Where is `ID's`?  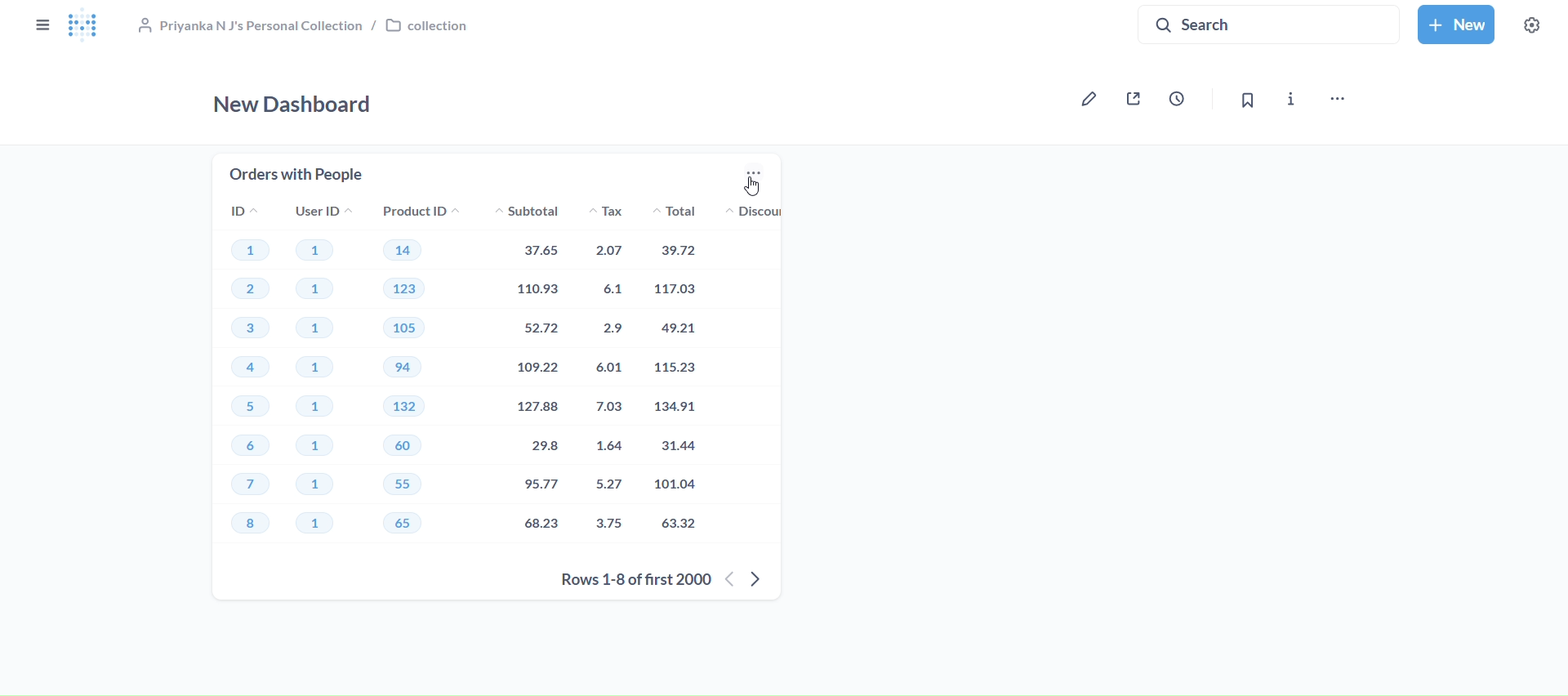
ID's is located at coordinates (252, 376).